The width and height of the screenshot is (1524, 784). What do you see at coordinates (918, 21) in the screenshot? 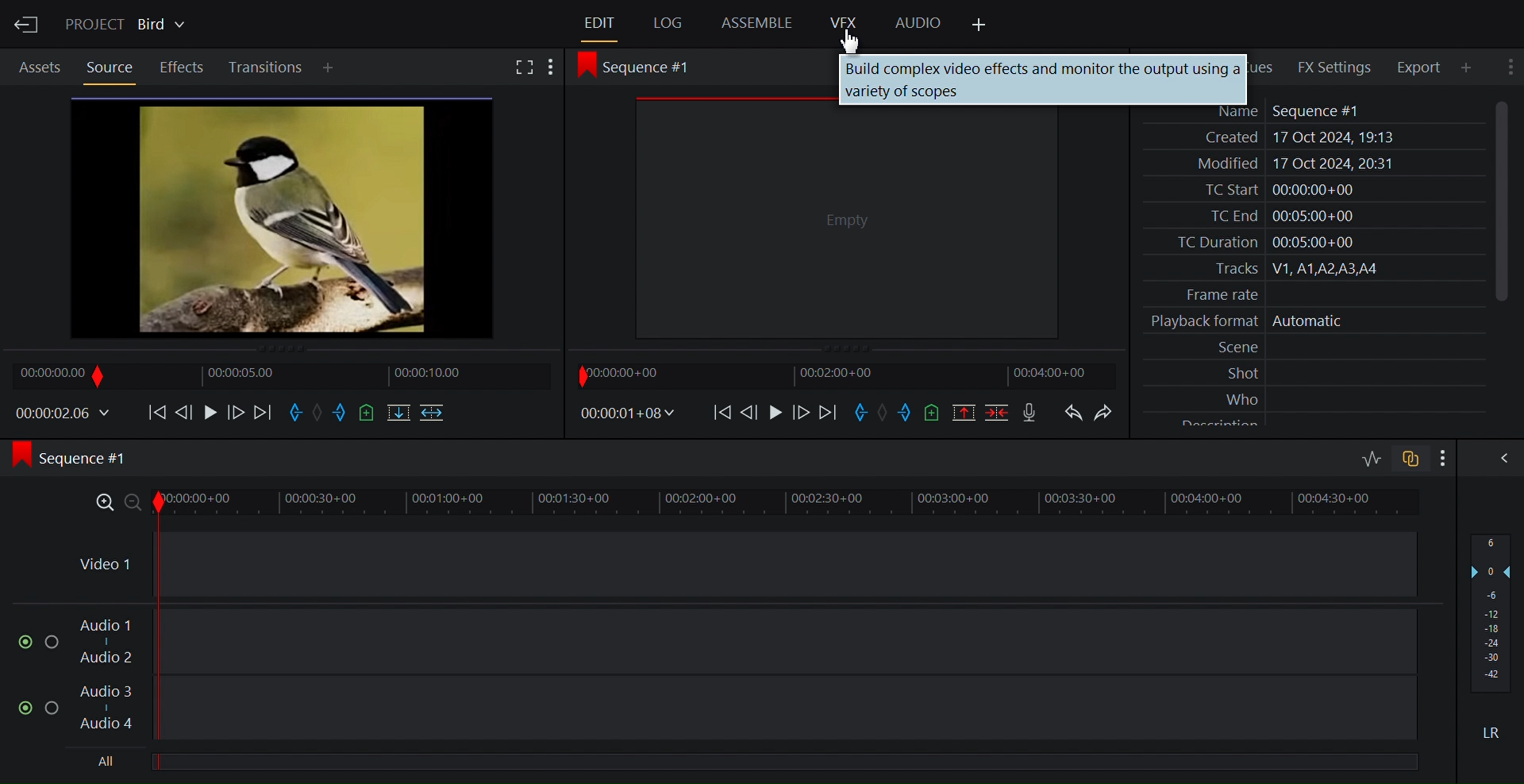
I see `Audio` at bounding box center [918, 21].